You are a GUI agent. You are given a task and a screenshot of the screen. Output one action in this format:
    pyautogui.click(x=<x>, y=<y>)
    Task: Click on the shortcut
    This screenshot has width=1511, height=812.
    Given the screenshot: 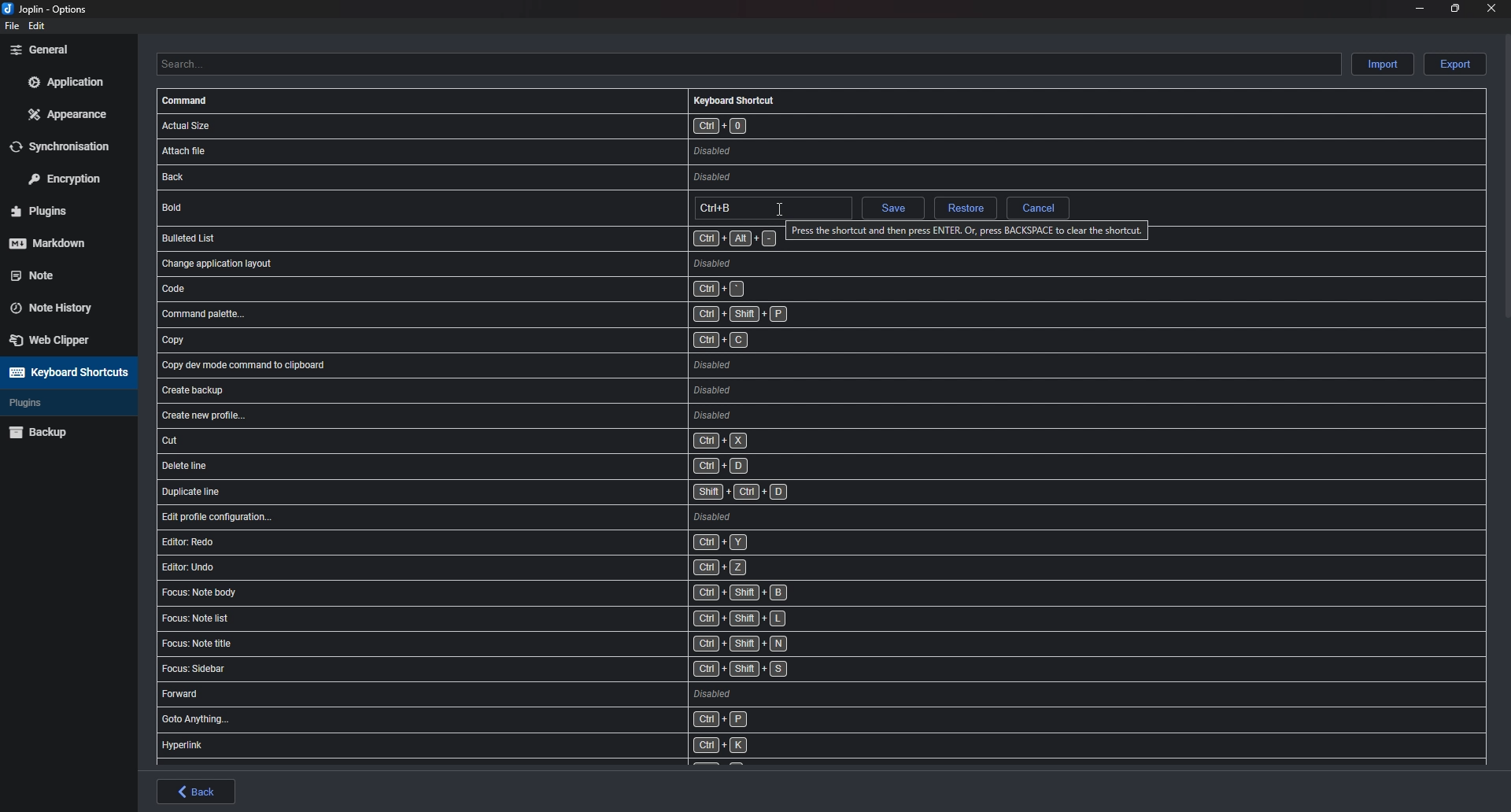 What is the action you would take?
    pyautogui.click(x=512, y=670)
    